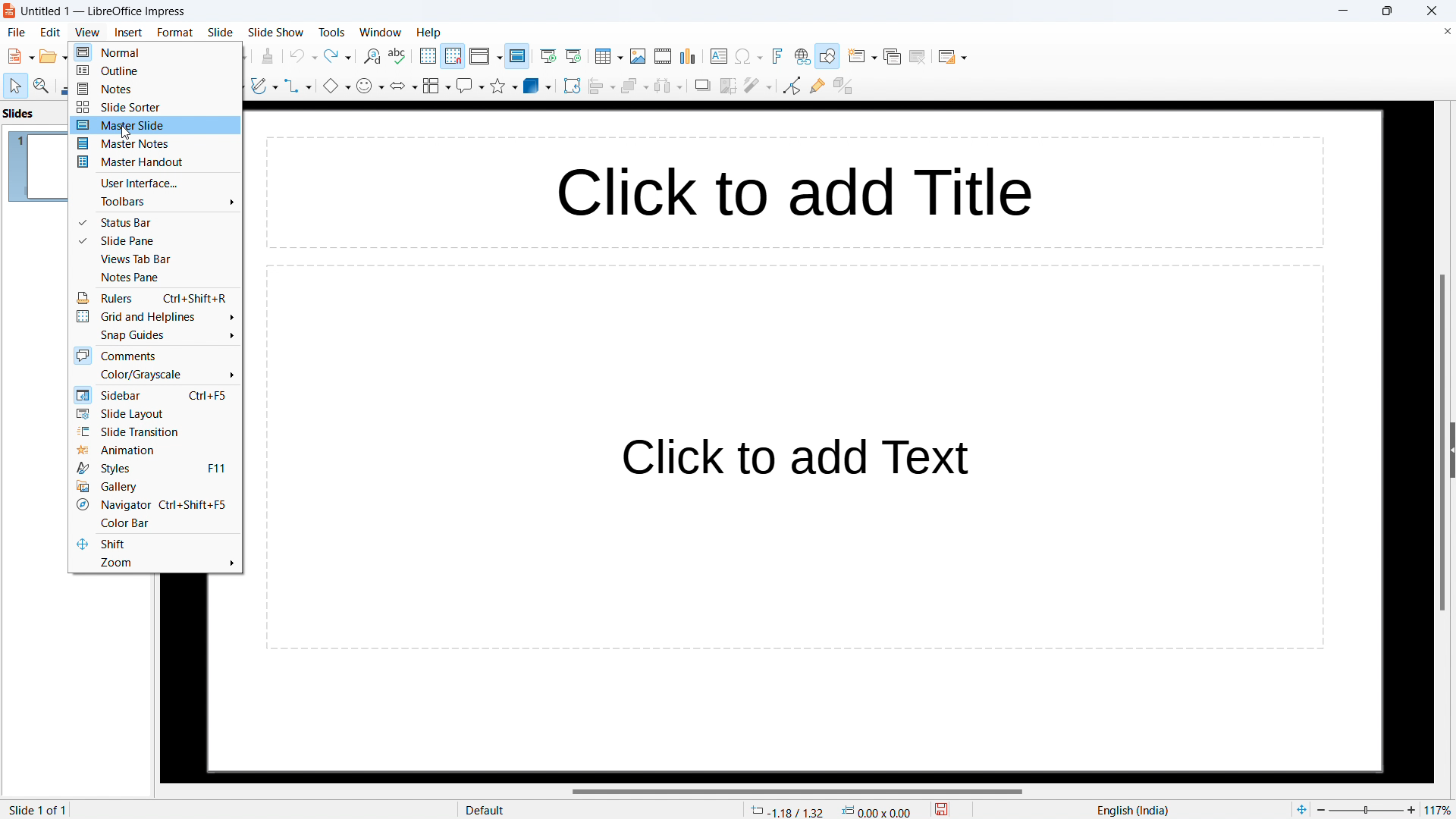  I want to click on display grid, so click(428, 56).